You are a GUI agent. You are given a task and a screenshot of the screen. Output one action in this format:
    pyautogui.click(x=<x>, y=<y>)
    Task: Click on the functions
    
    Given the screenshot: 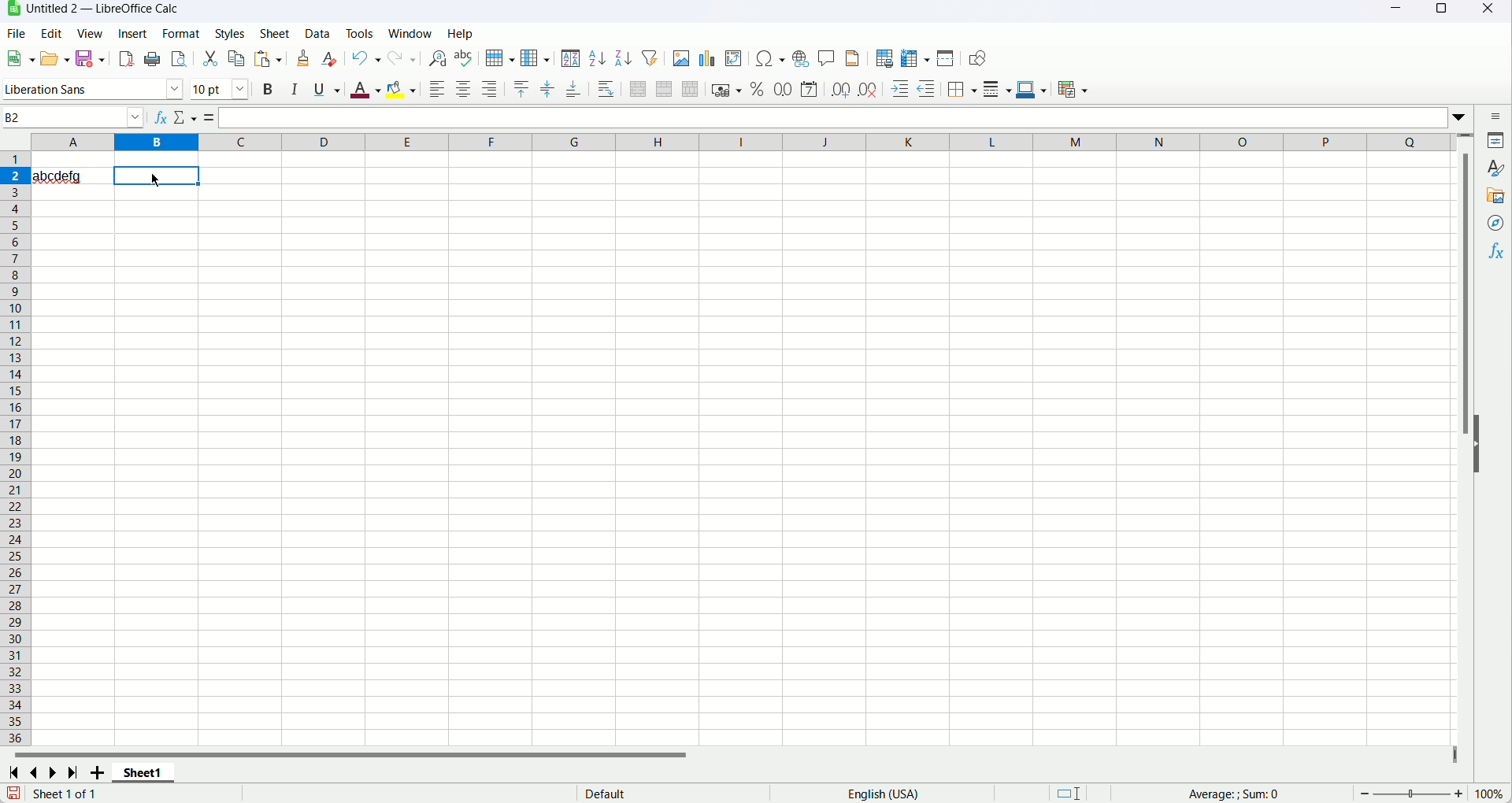 What is the action you would take?
    pyautogui.click(x=1496, y=253)
    